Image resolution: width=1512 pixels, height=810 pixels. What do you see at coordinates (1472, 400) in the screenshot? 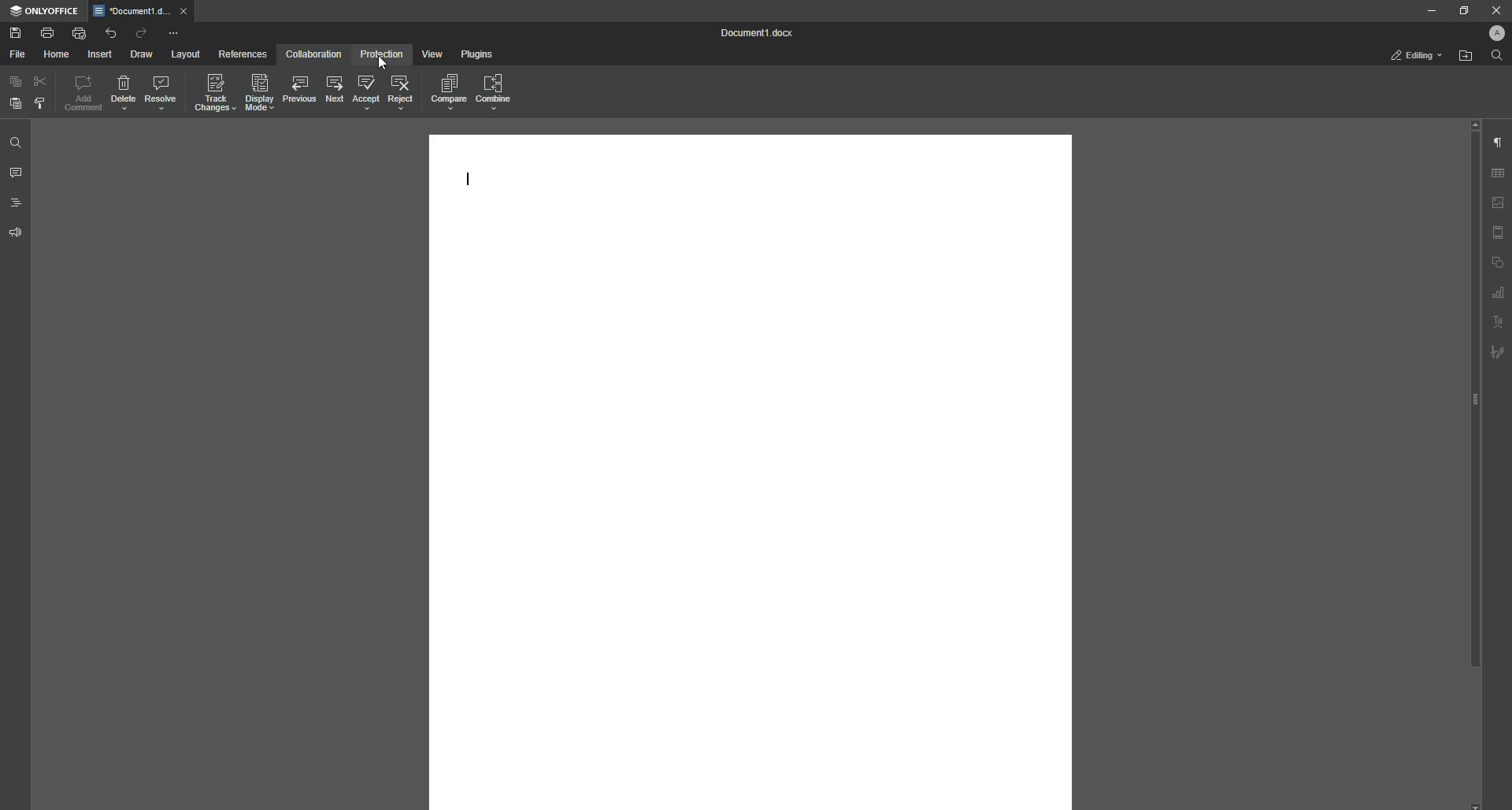
I see `scroll bar` at bounding box center [1472, 400].